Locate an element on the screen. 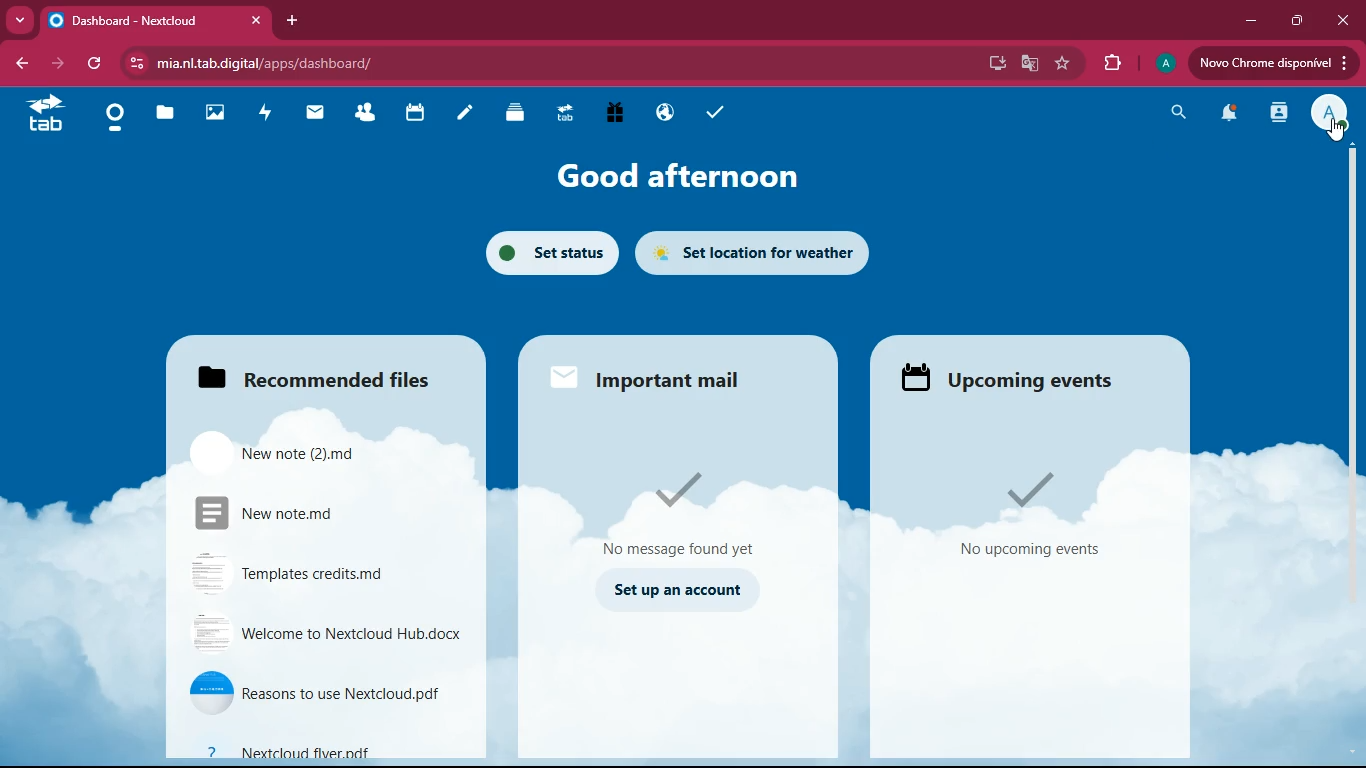 Image resolution: width=1366 pixels, height=768 pixels. favorite is located at coordinates (1062, 63).